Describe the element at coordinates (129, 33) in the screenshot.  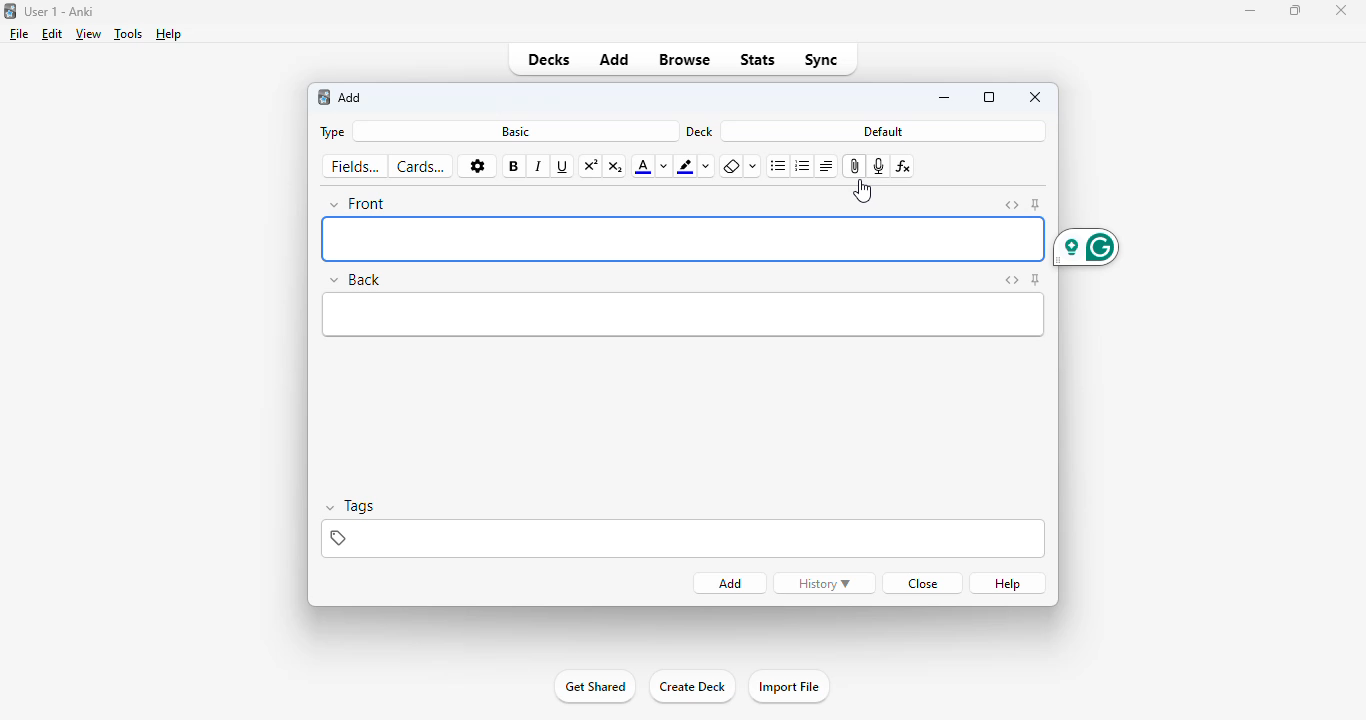
I see `tools` at that location.